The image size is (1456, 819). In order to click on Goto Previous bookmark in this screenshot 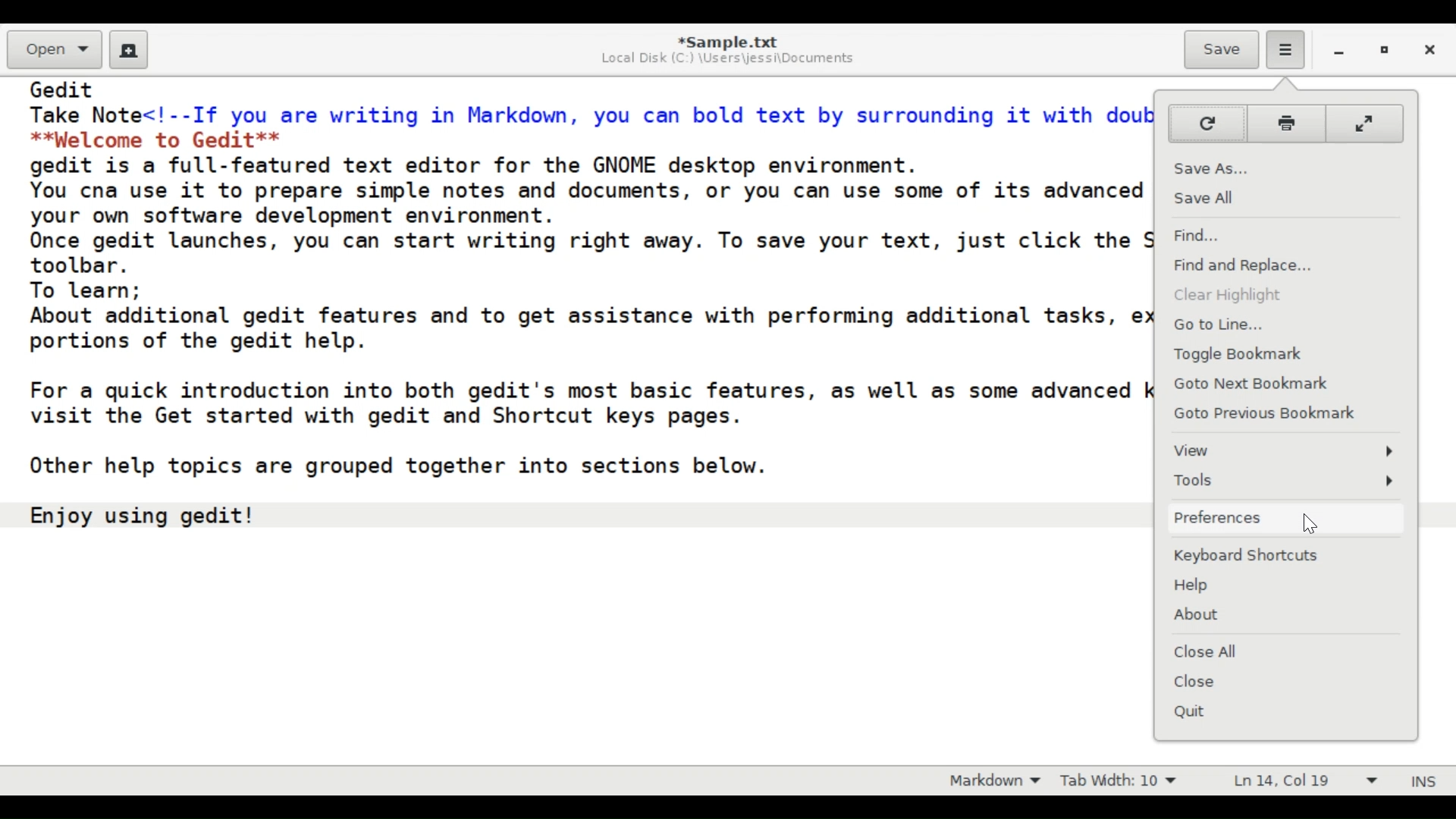, I will do `click(1267, 413)`.